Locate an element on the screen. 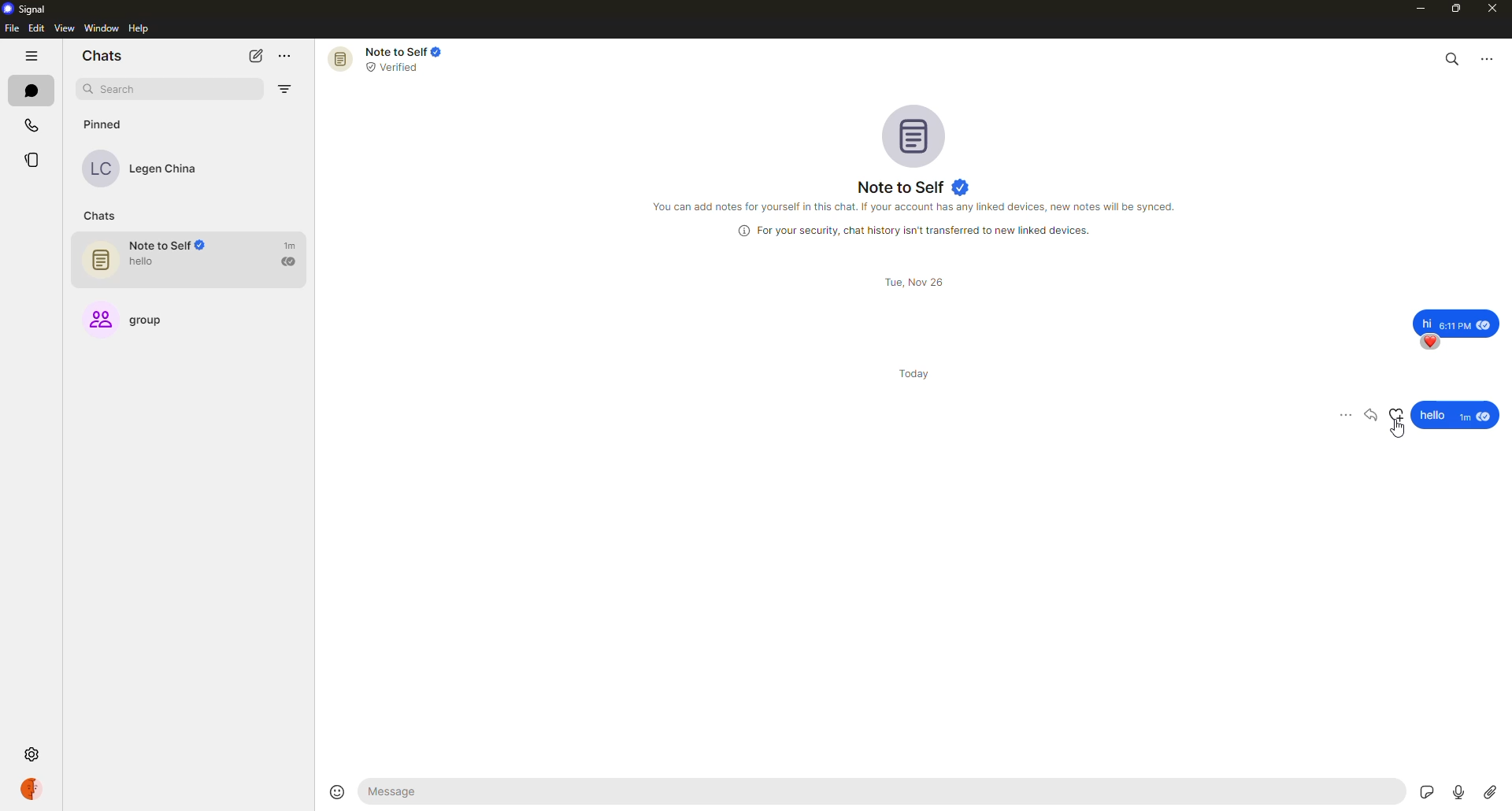  search is located at coordinates (139, 89).